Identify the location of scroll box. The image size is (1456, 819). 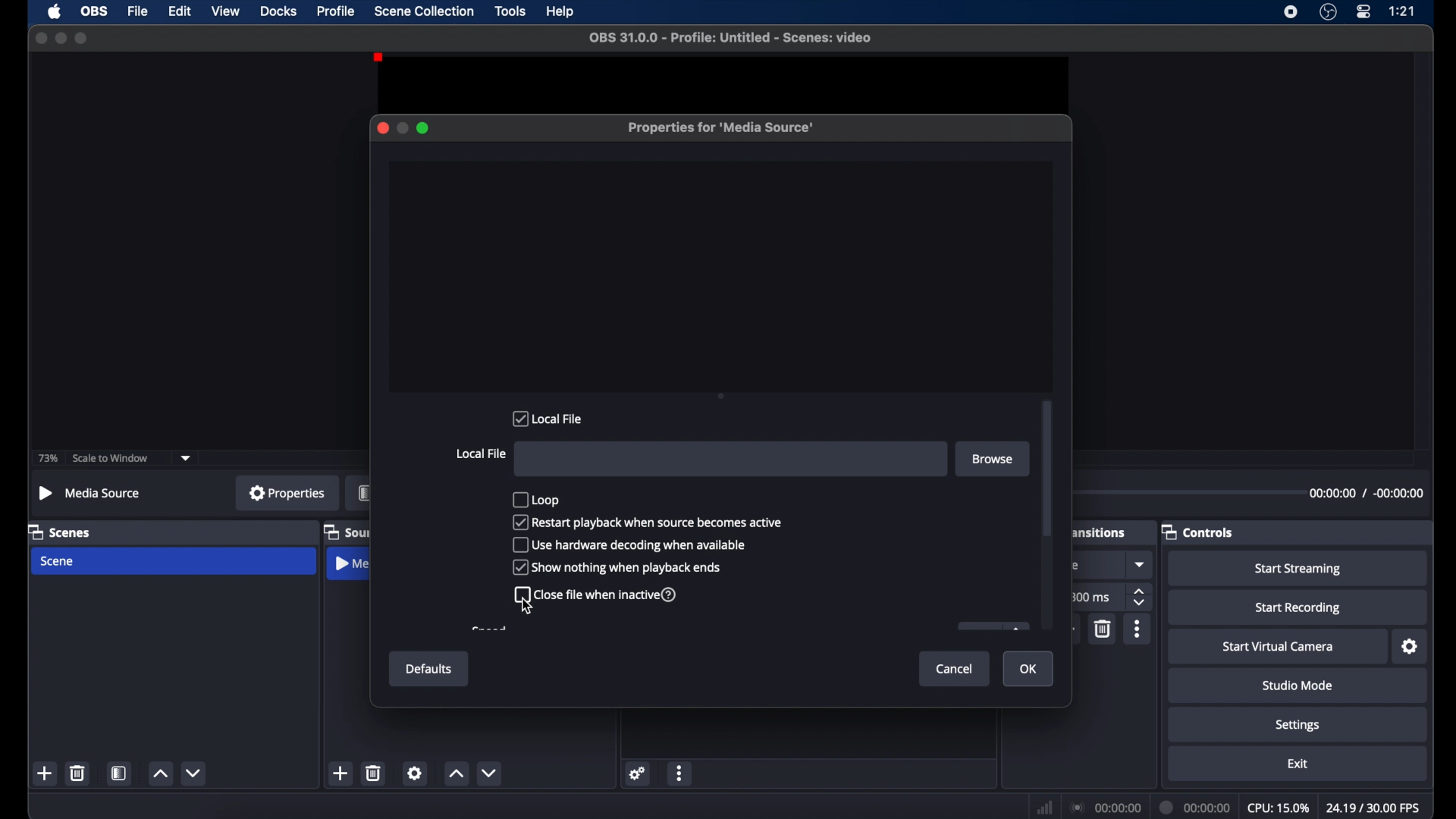
(1047, 468).